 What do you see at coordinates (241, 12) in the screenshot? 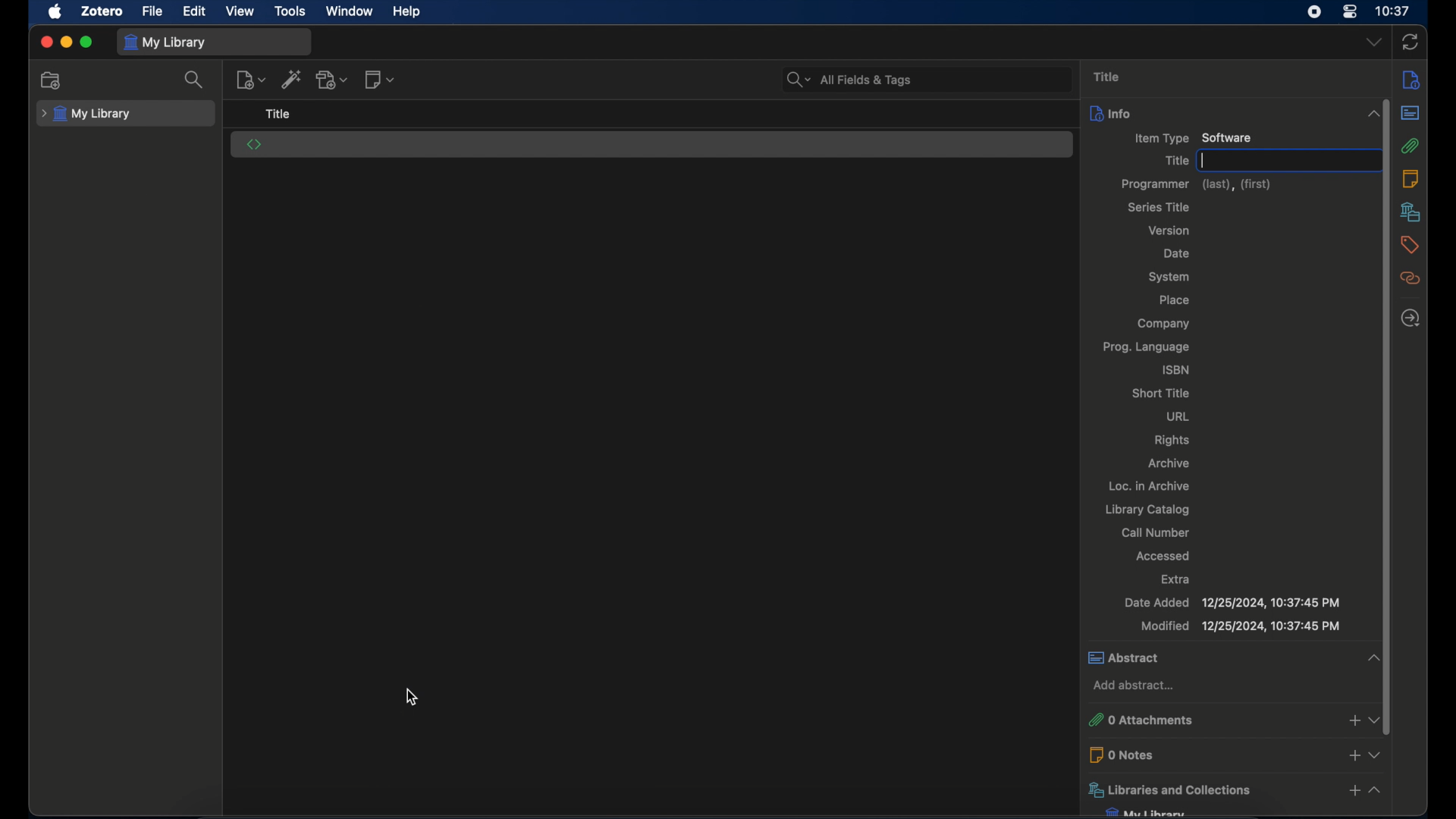
I see `view` at bounding box center [241, 12].